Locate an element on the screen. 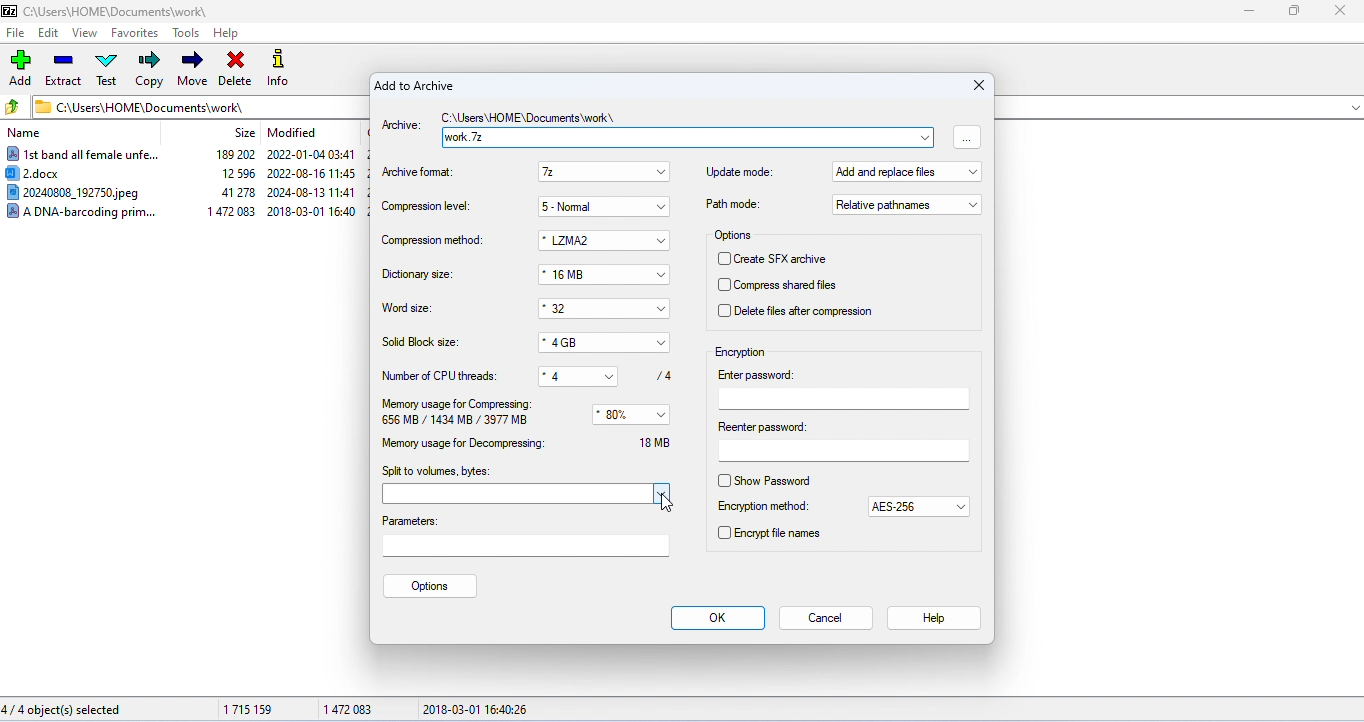 The width and height of the screenshot is (1364, 722). close is located at coordinates (1338, 11).